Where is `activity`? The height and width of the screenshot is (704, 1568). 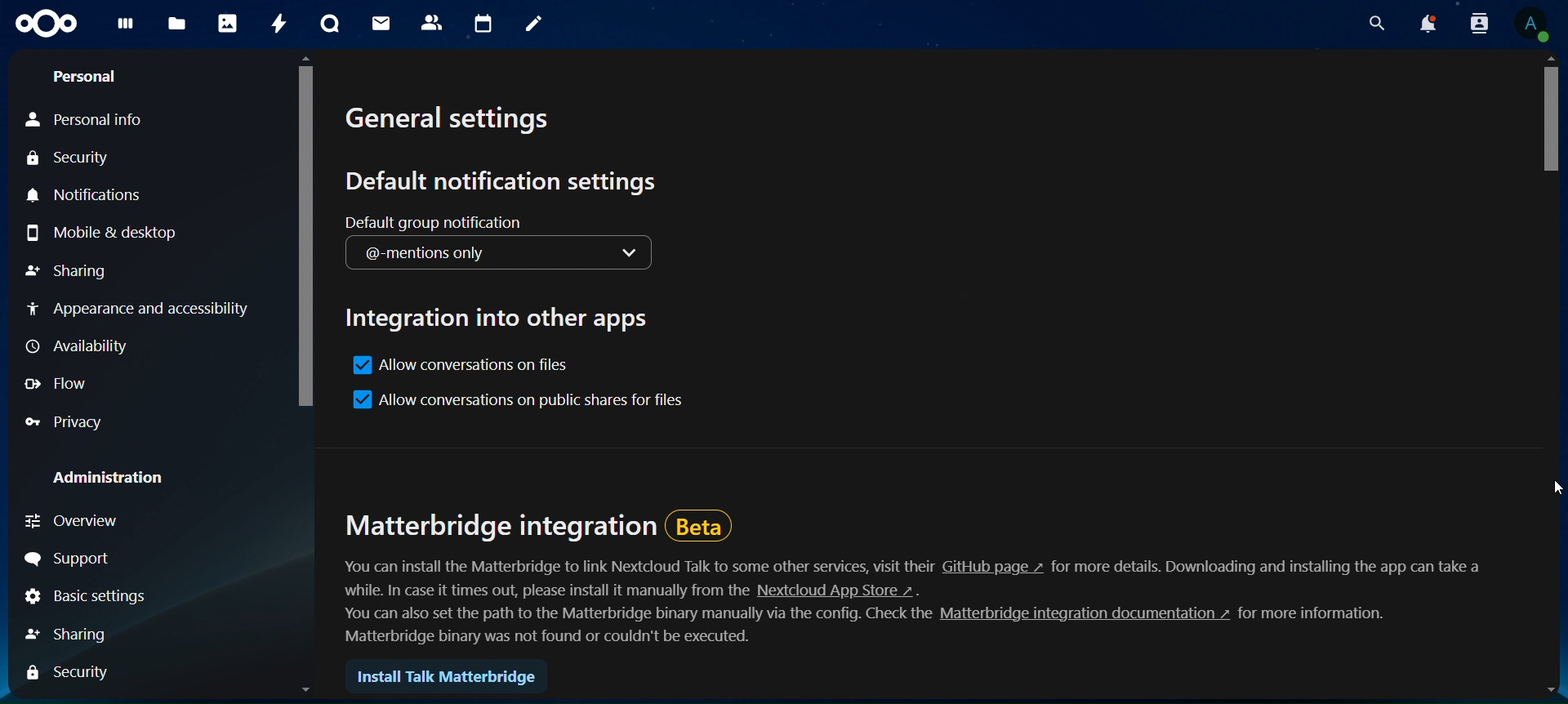
activity is located at coordinates (280, 23).